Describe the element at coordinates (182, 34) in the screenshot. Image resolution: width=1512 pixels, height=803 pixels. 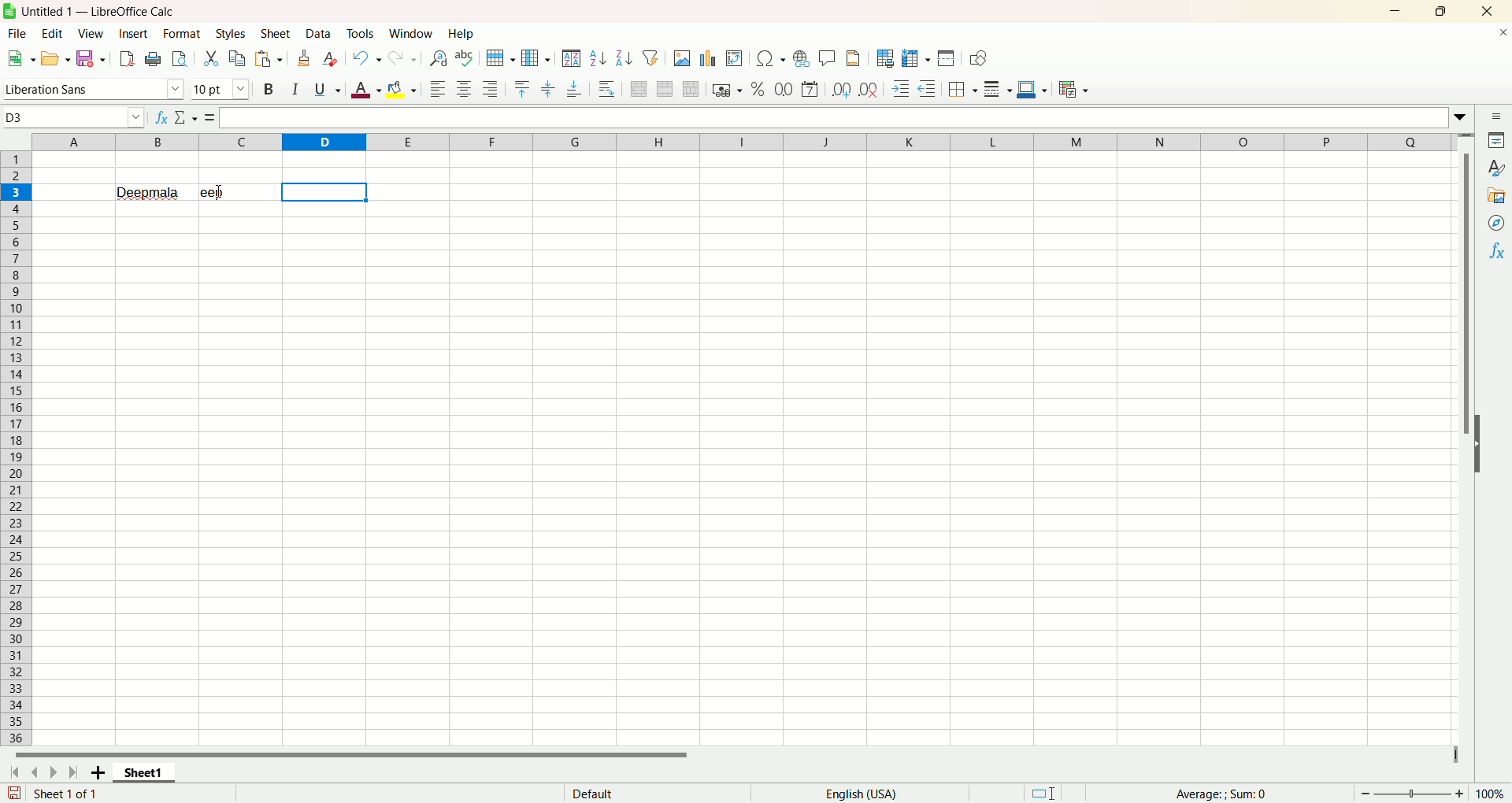
I see `Format` at that location.